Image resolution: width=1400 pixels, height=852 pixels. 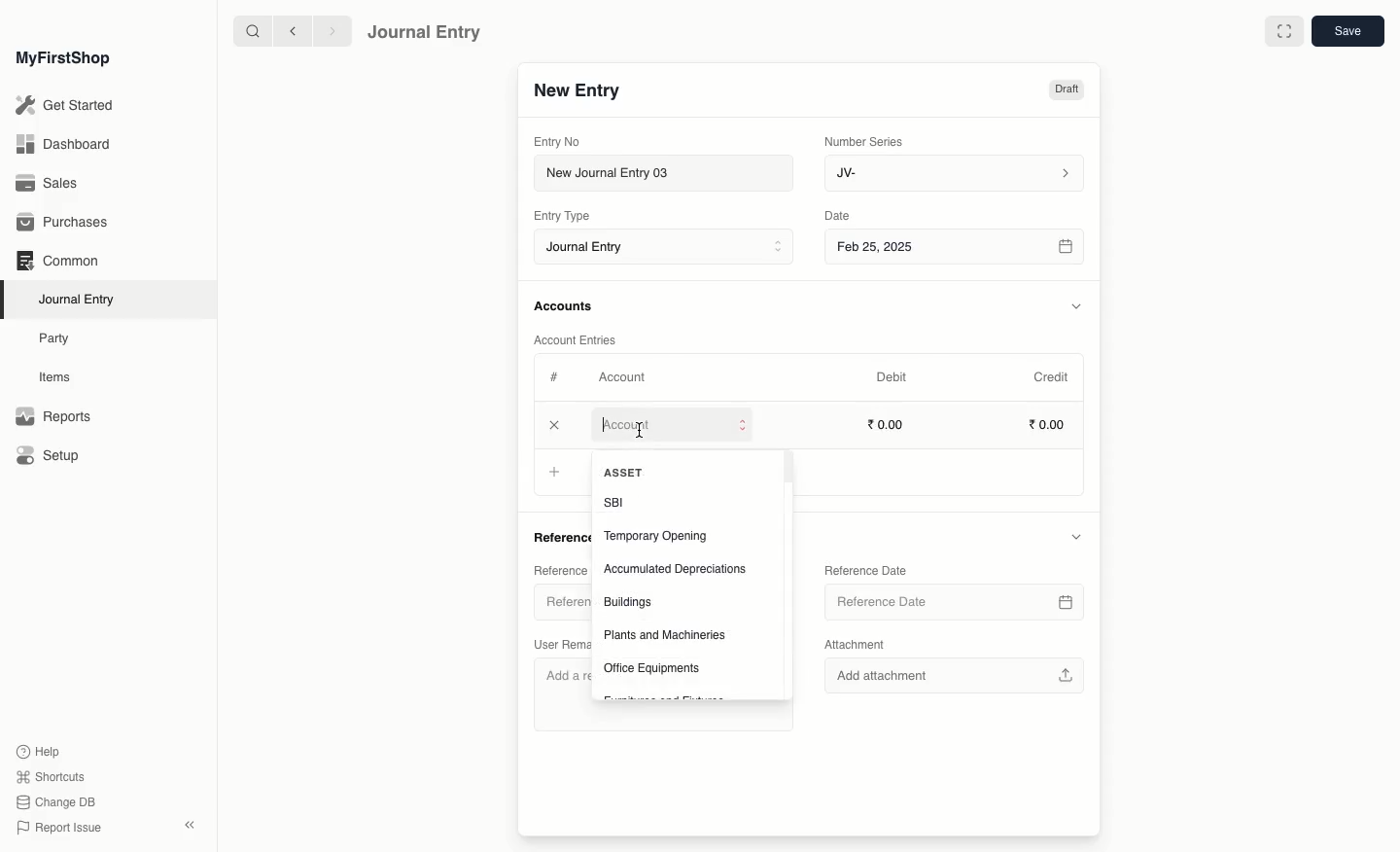 What do you see at coordinates (425, 31) in the screenshot?
I see `Journal Entry` at bounding box center [425, 31].